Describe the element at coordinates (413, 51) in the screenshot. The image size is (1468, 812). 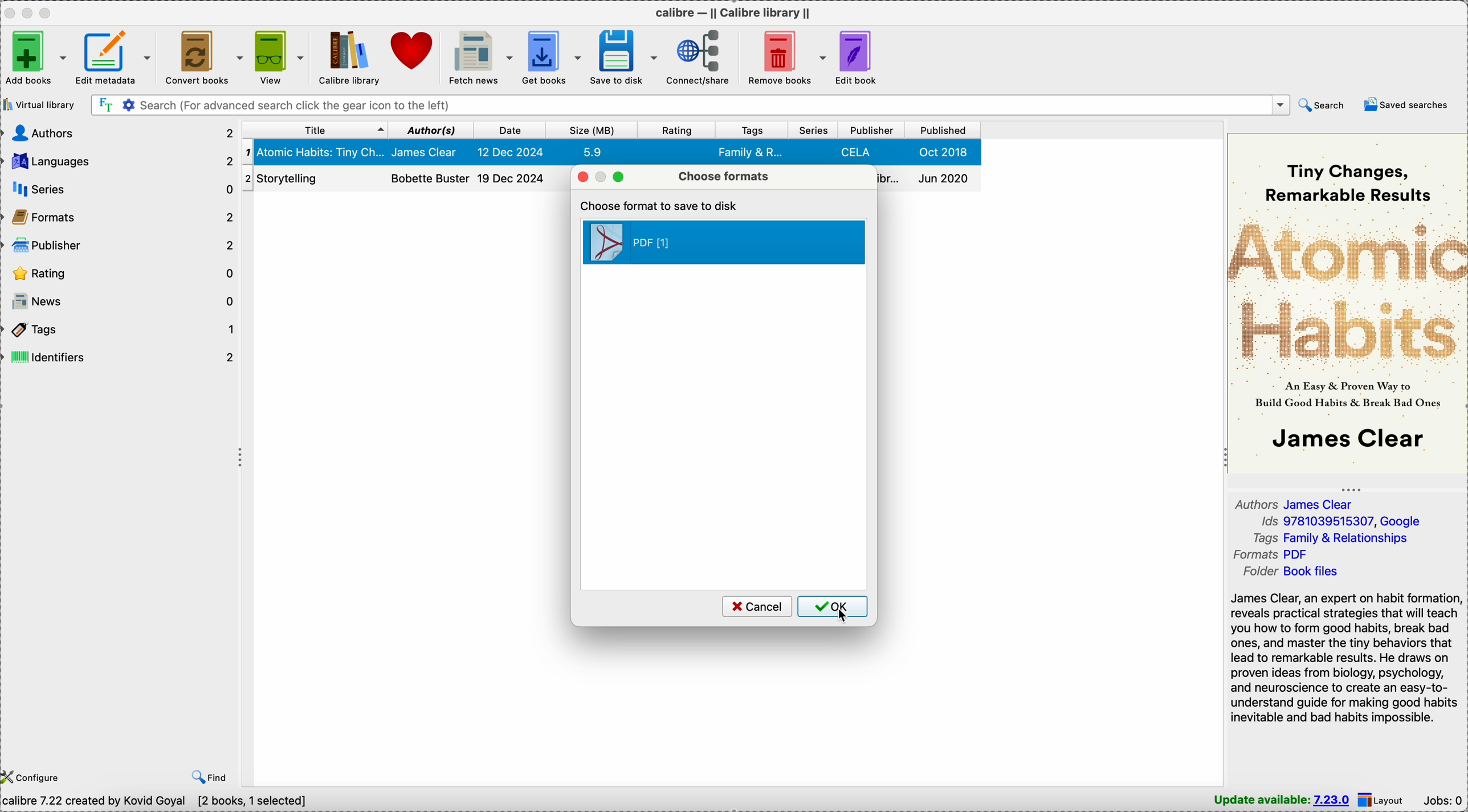
I see `donate` at that location.